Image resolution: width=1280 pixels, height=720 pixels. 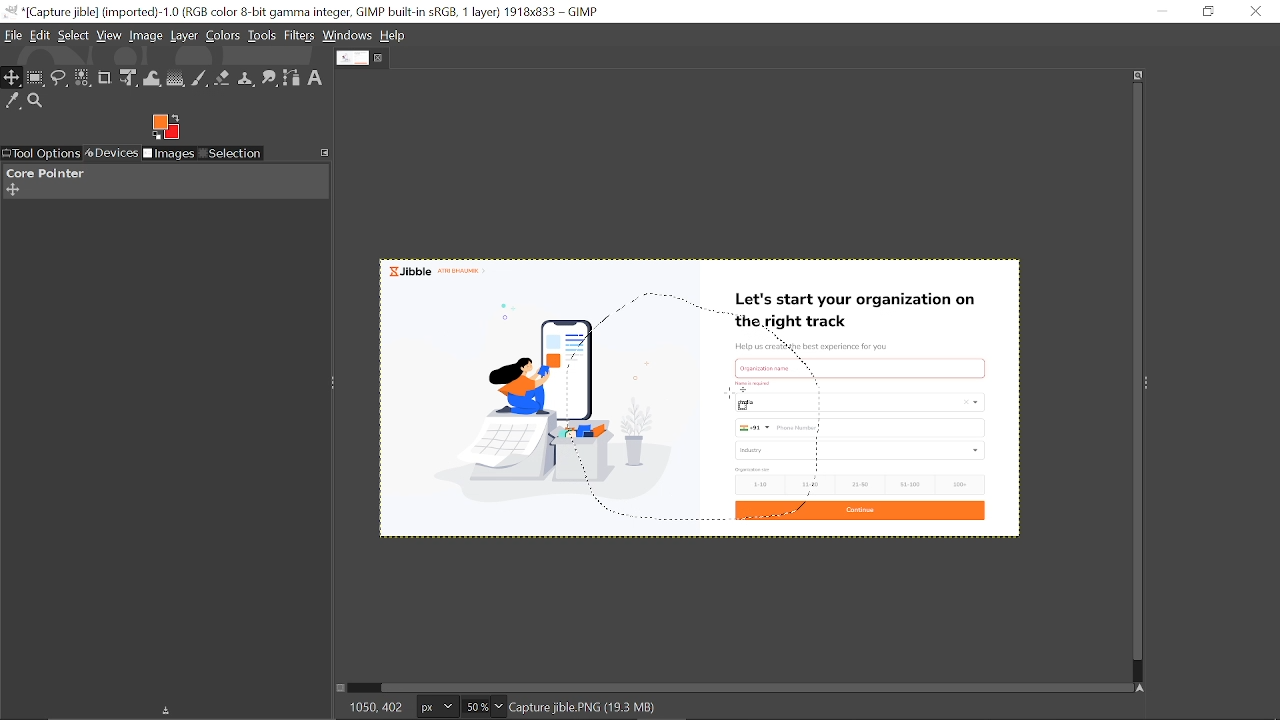 What do you see at coordinates (909, 485) in the screenshot?
I see `51-100` at bounding box center [909, 485].